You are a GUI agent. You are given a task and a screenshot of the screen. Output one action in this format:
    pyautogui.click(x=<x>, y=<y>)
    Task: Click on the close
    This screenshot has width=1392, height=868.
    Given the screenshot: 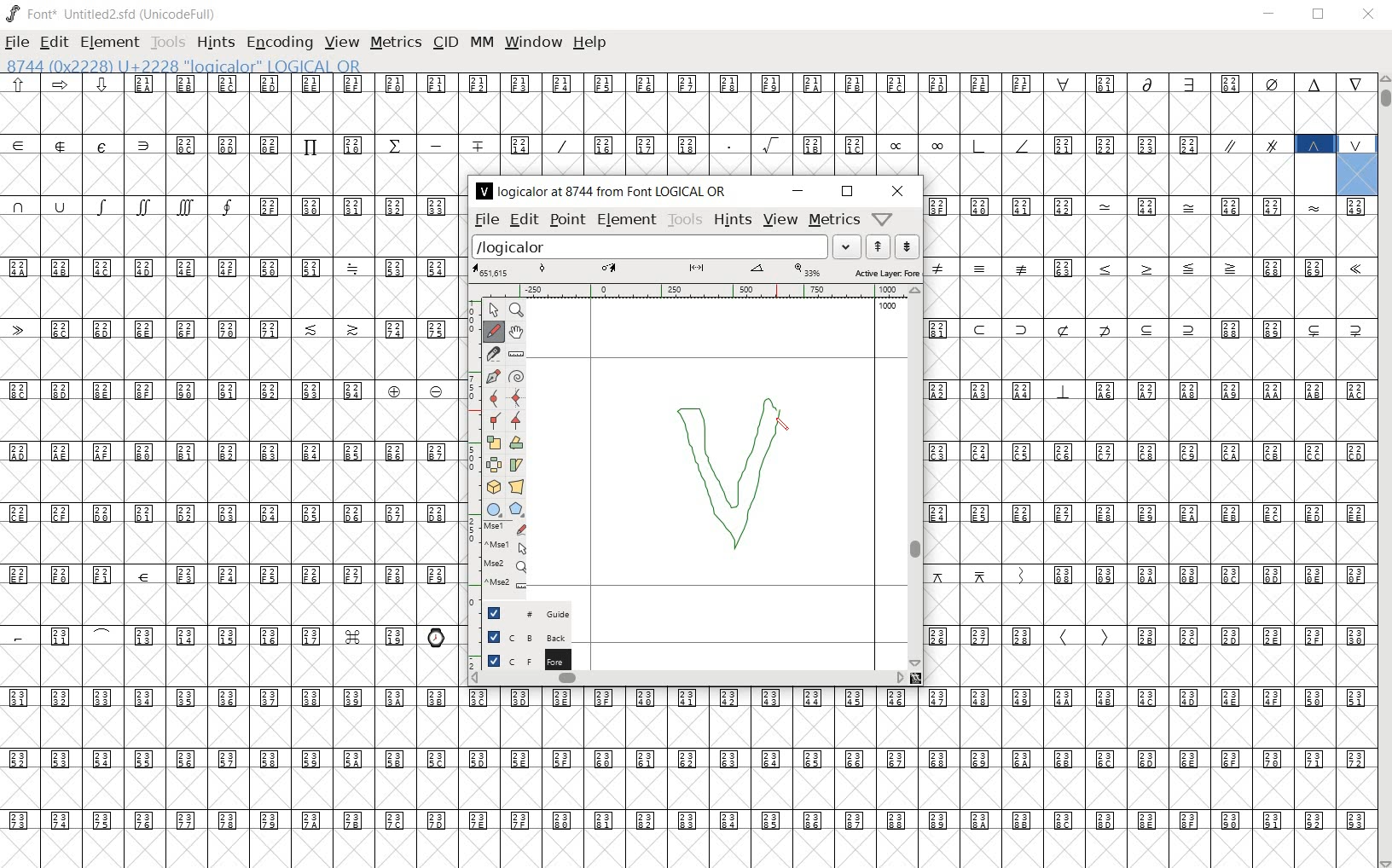 What is the action you would take?
    pyautogui.click(x=896, y=193)
    